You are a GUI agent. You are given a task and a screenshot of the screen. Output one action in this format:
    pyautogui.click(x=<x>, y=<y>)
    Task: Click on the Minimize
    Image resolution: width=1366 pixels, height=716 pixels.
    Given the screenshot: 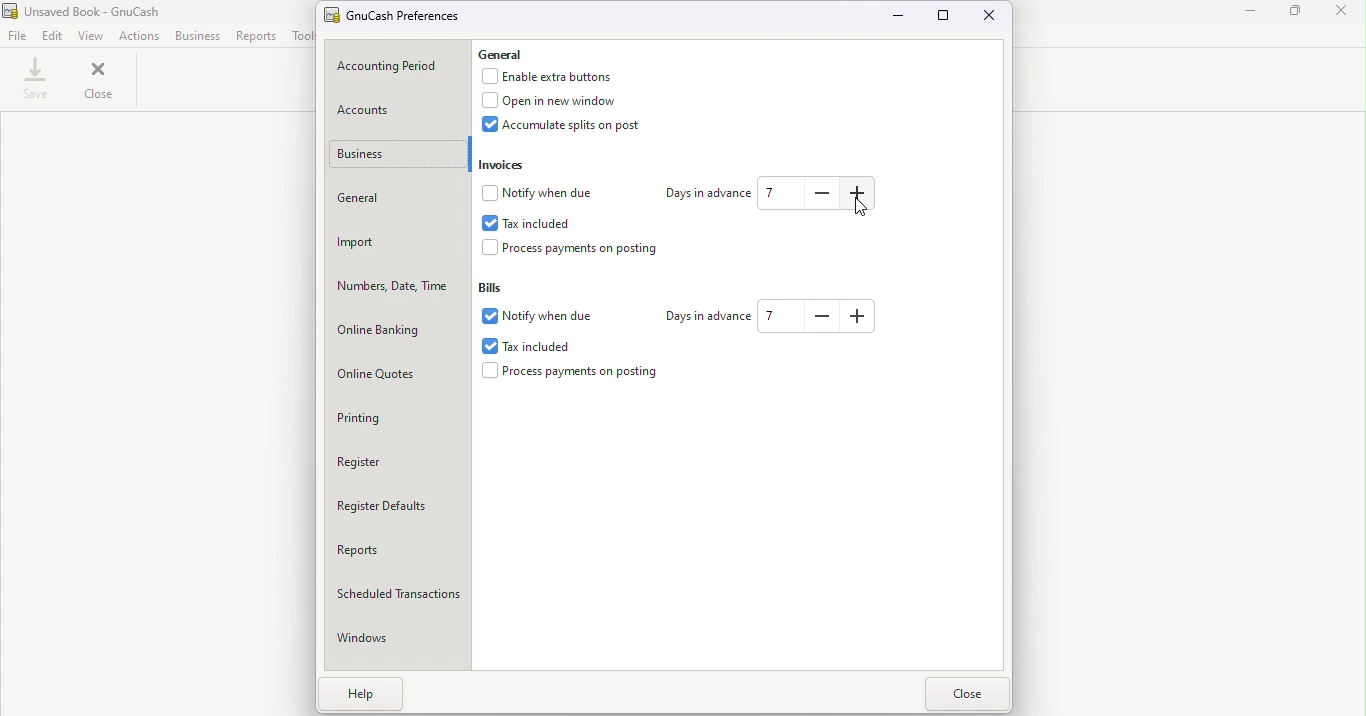 What is the action you would take?
    pyautogui.click(x=1248, y=15)
    